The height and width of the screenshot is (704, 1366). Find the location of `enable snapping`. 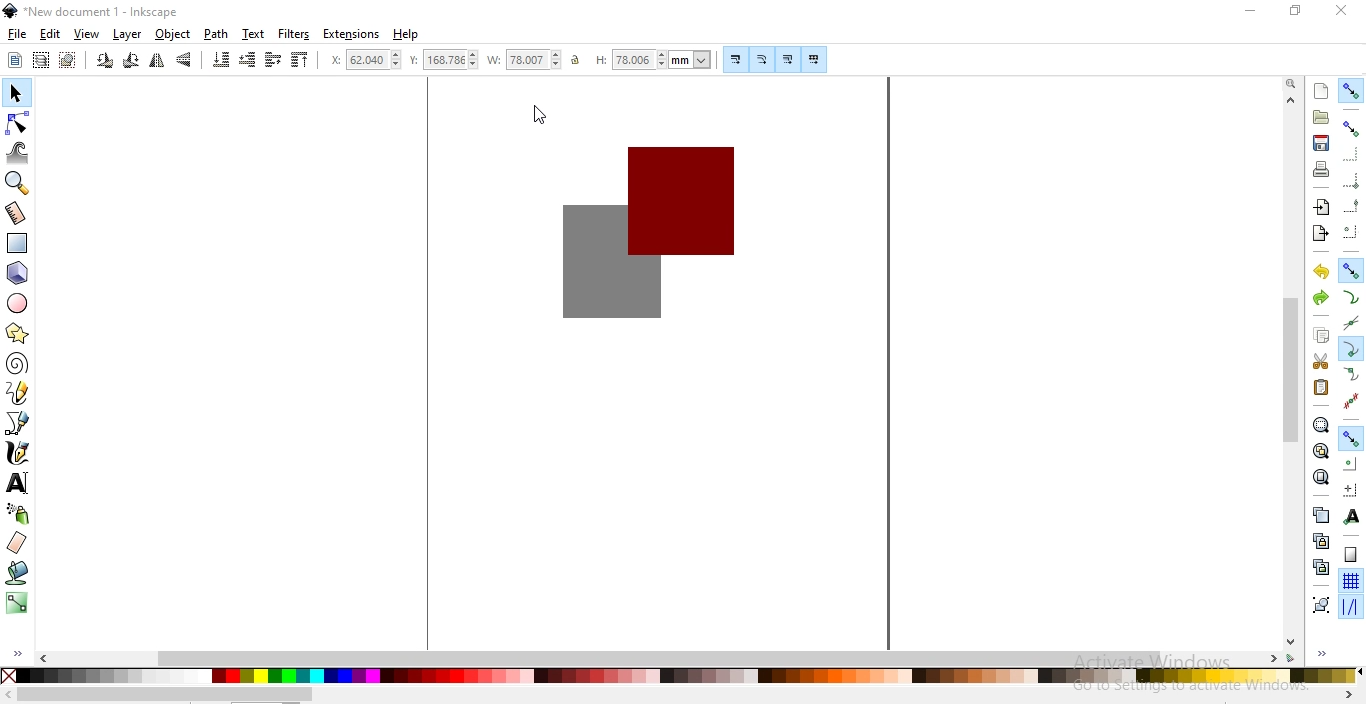

enable snapping is located at coordinates (1352, 90).